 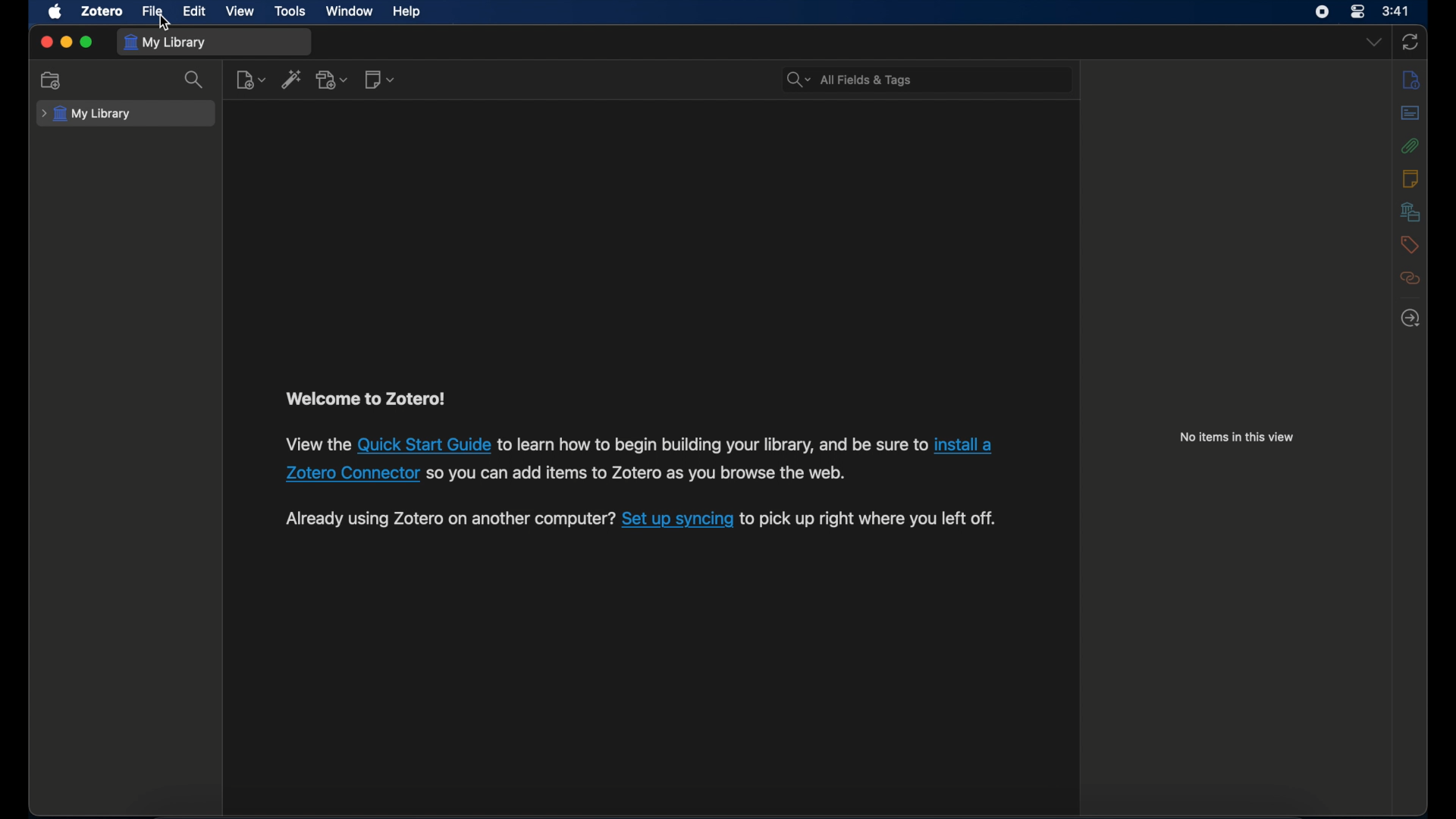 What do you see at coordinates (1411, 212) in the screenshot?
I see `libraries` at bounding box center [1411, 212].